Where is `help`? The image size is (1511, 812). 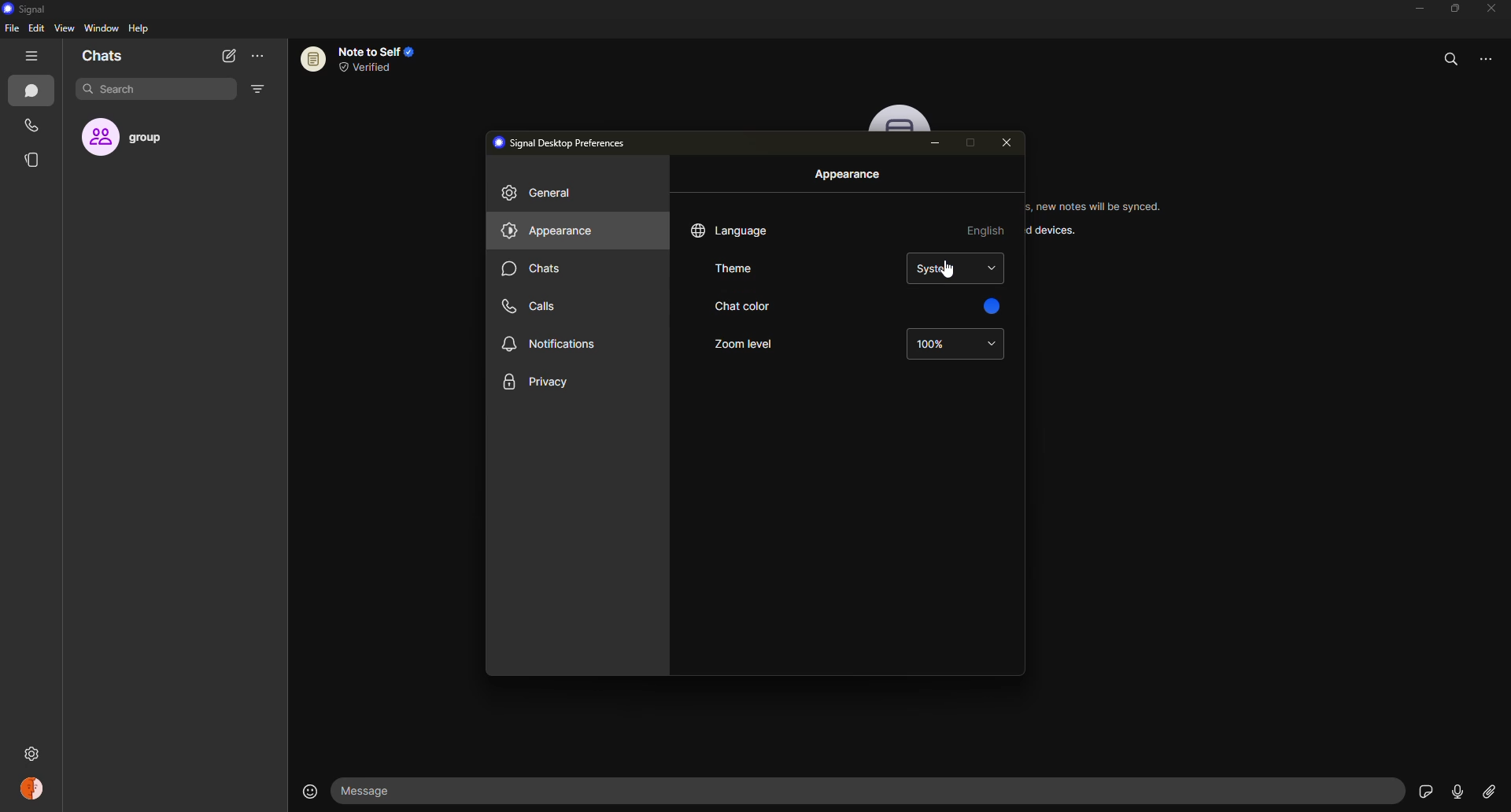
help is located at coordinates (140, 28).